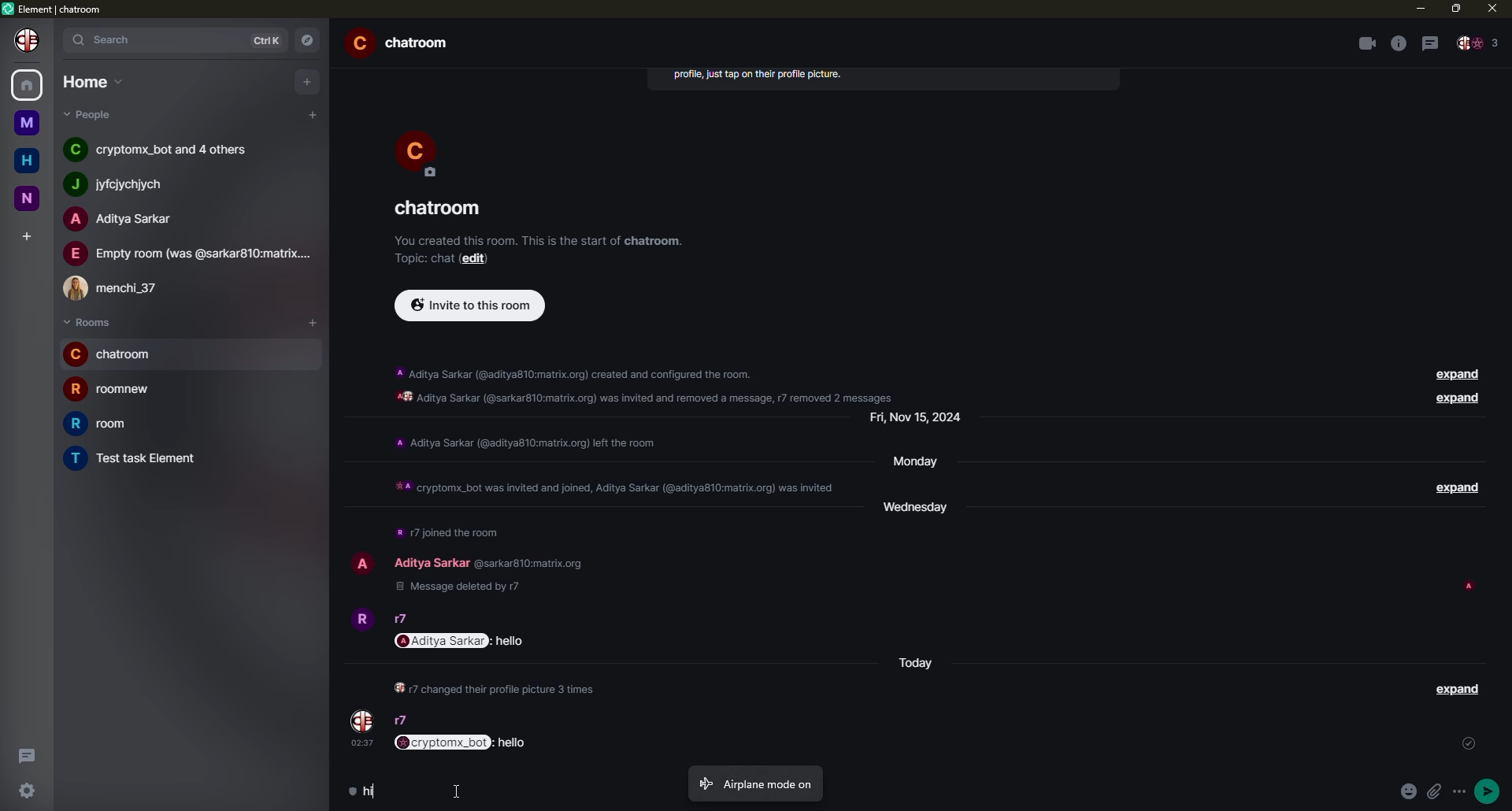  Describe the element at coordinates (403, 43) in the screenshot. I see `room` at that location.